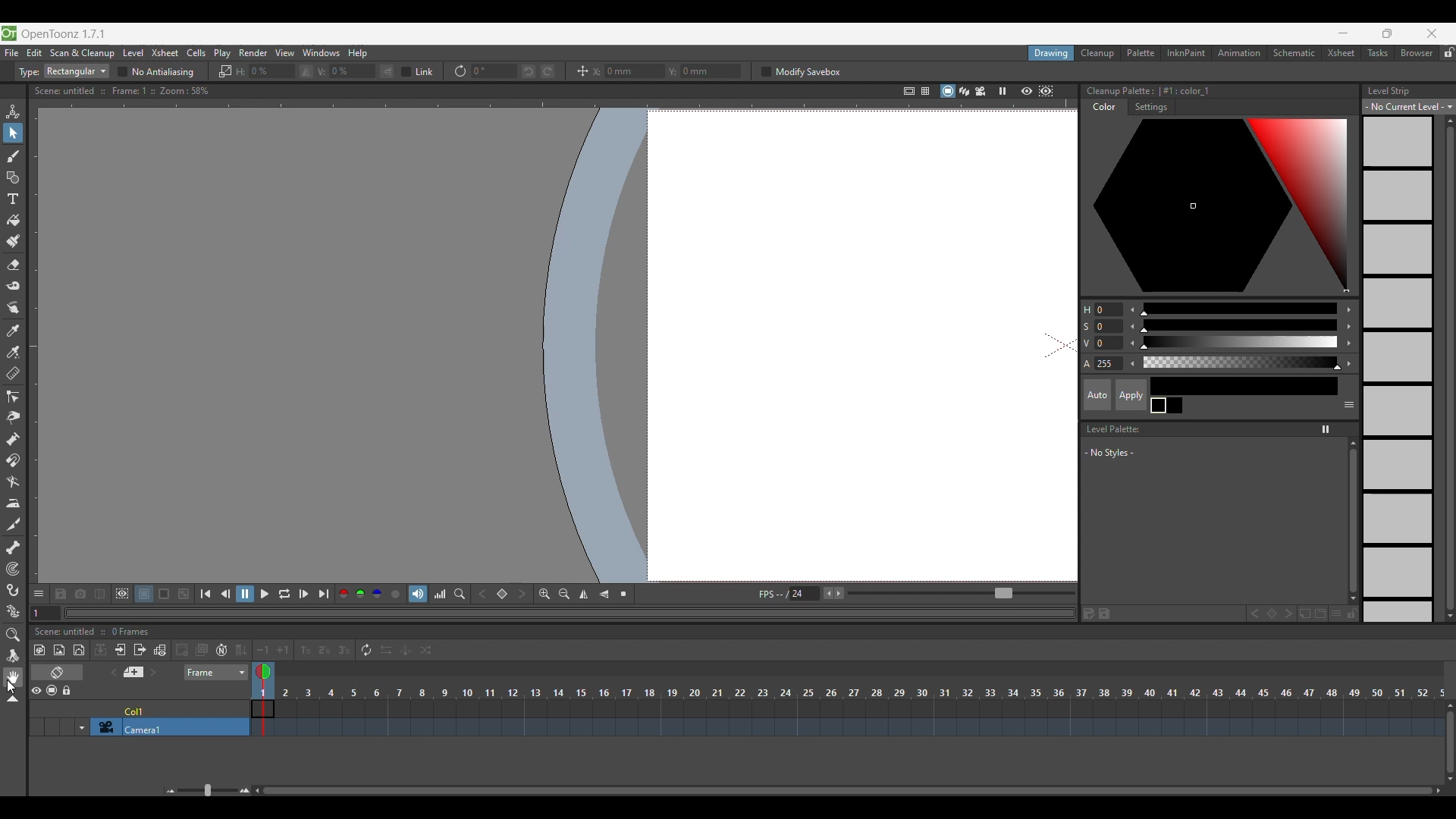 The height and width of the screenshot is (819, 1456). I want to click on Current frame, so click(45, 613).